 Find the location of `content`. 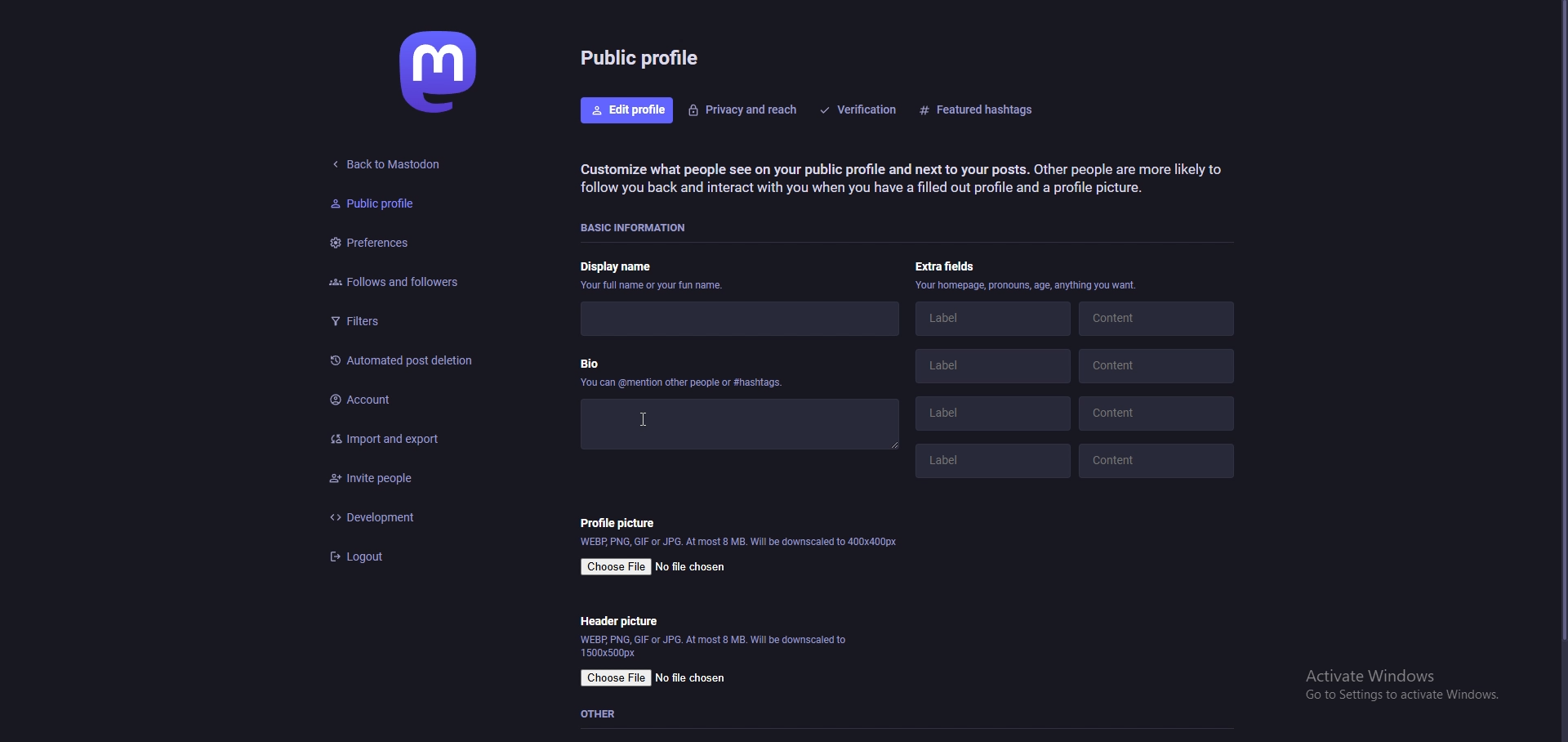

content is located at coordinates (1157, 460).